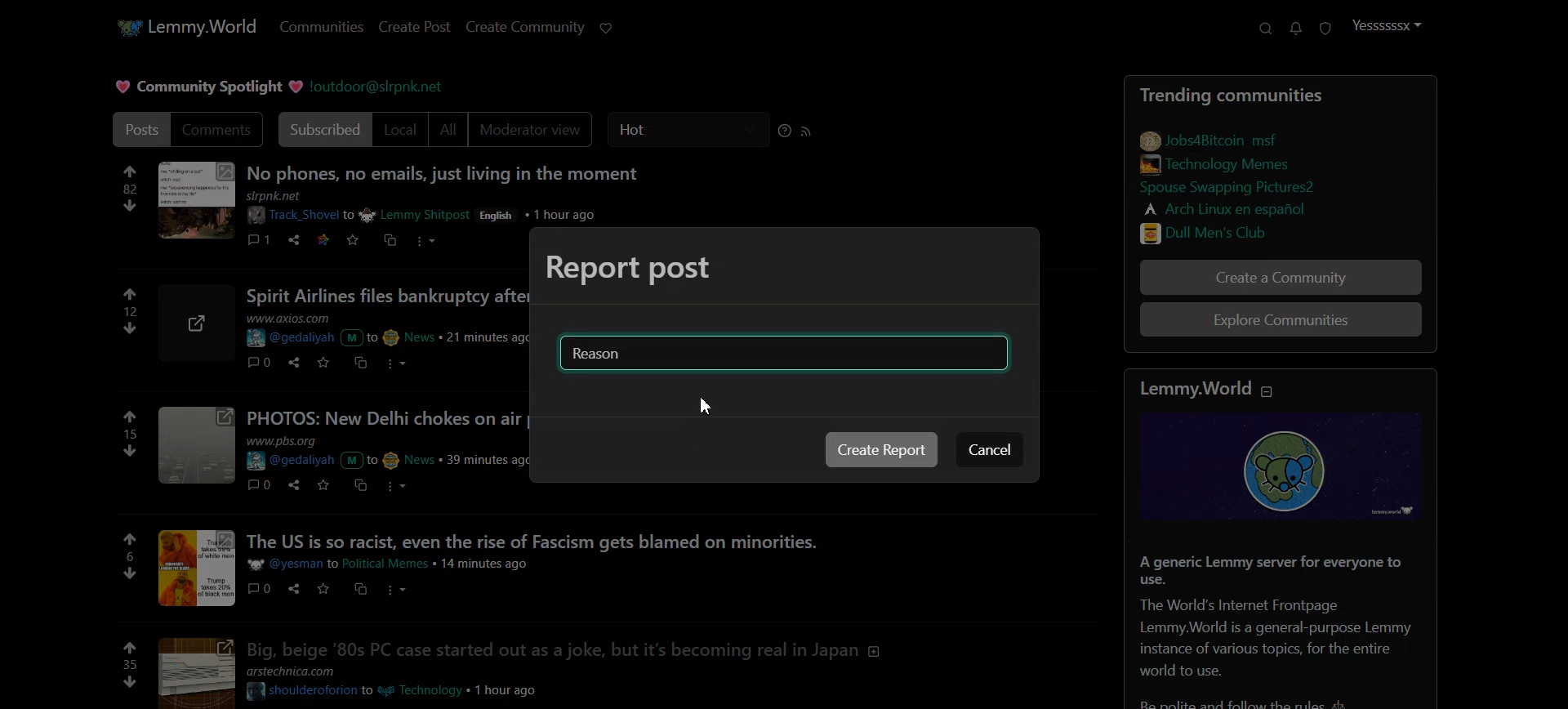 The width and height of the screenshot is (1568, 709). Describe the element at coordinates (131, 205) in the screenshot. I see `downvote` at that location.